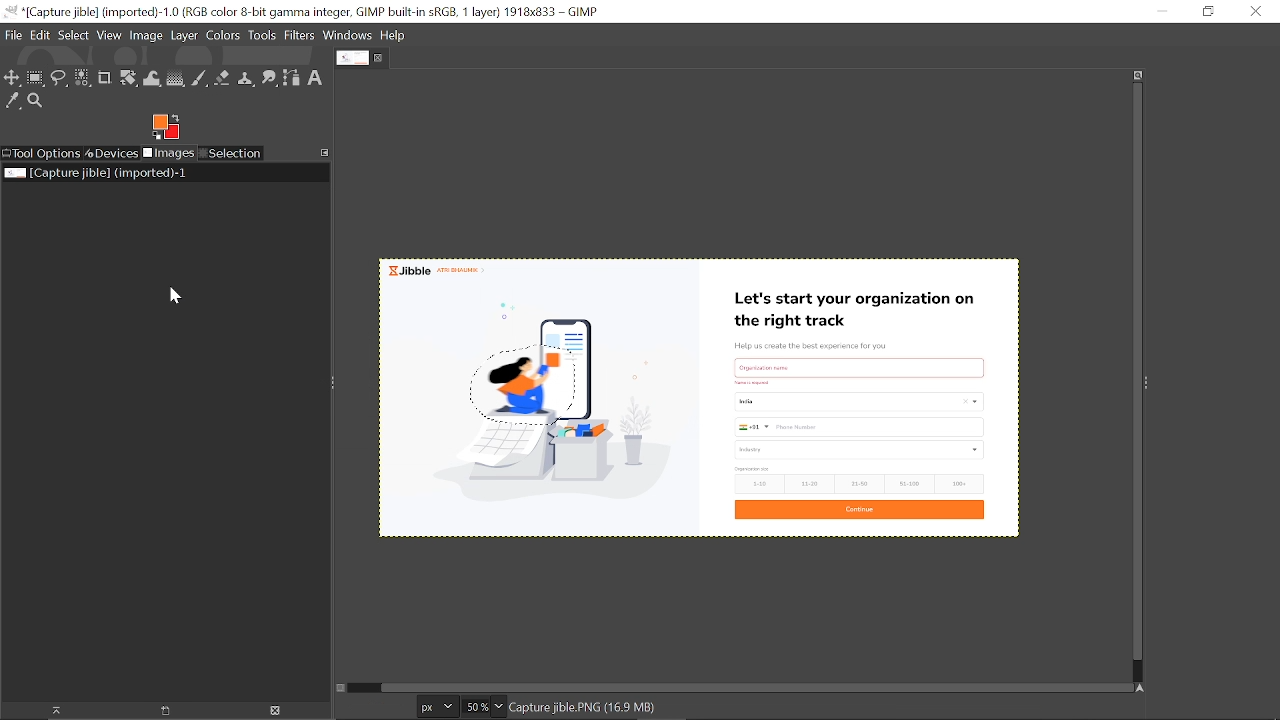 The image size is (1280, 720). I want to click on Current zoom, so click(474, 706).